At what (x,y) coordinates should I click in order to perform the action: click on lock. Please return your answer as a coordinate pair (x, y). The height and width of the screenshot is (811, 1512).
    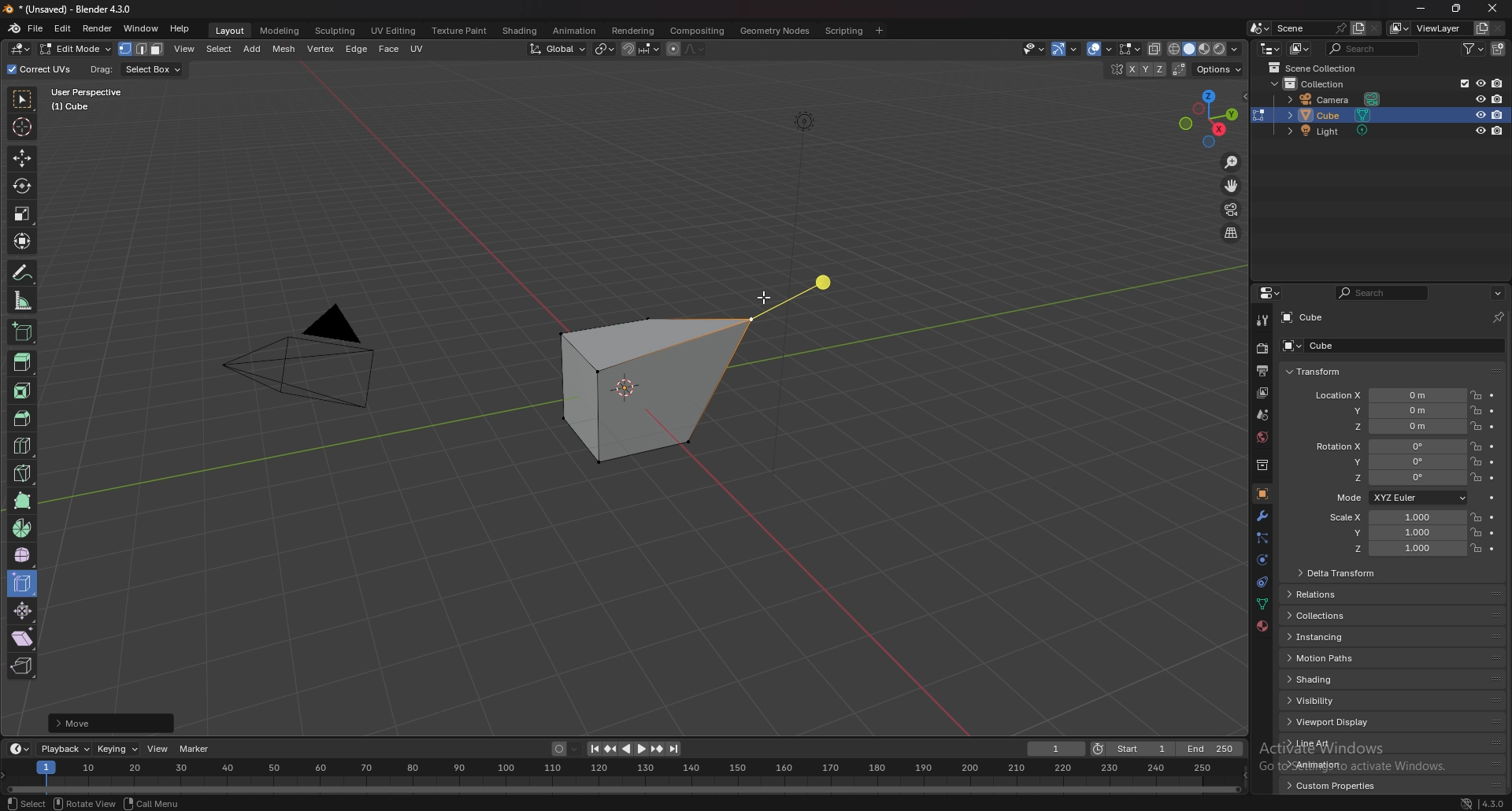
    Looking at the image, I should click on (1475, 517).